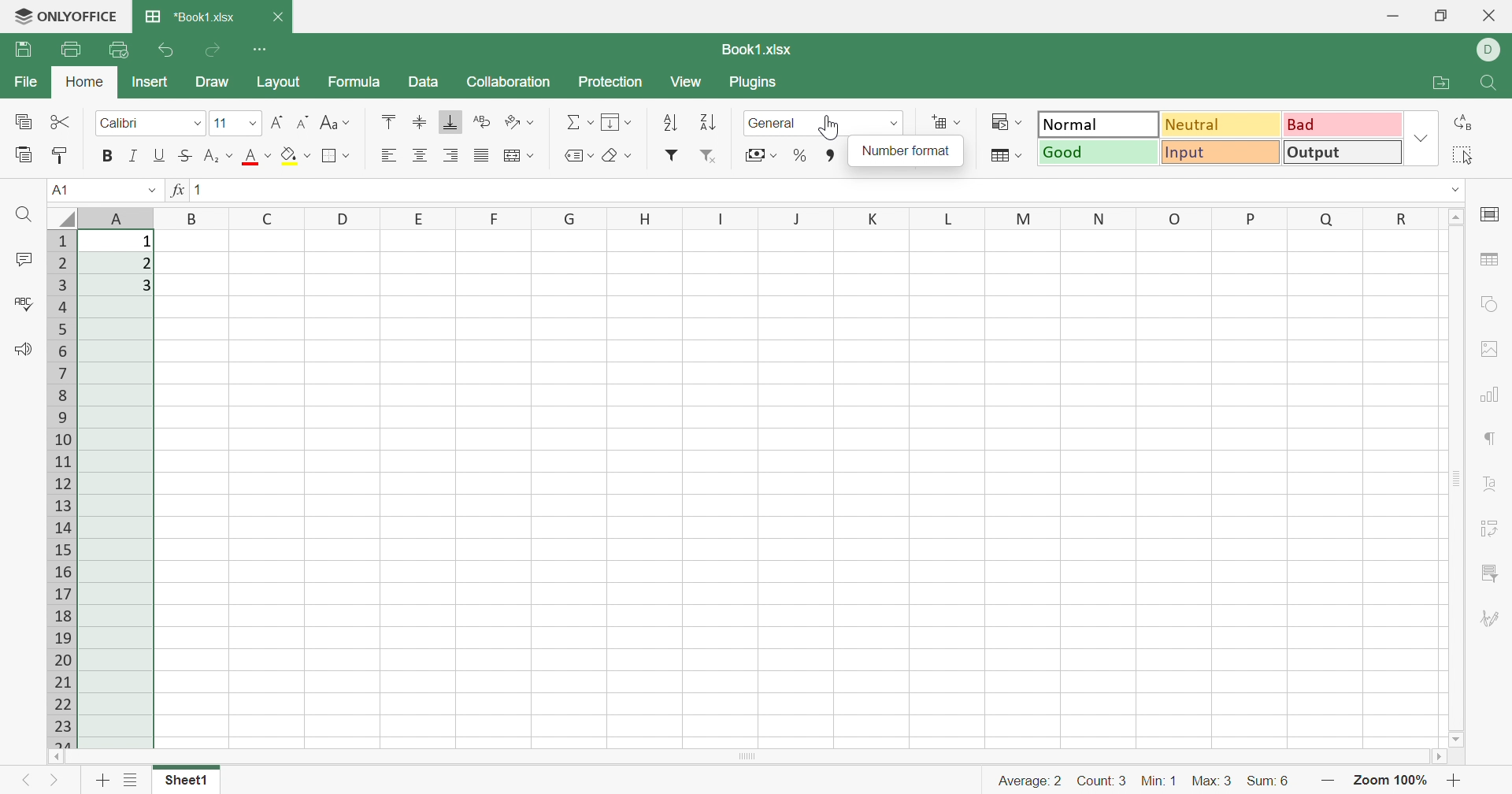  What do you see at coordinates (150, 121) in the screenshot?
I see `Font` at bounding box center [150, 121].